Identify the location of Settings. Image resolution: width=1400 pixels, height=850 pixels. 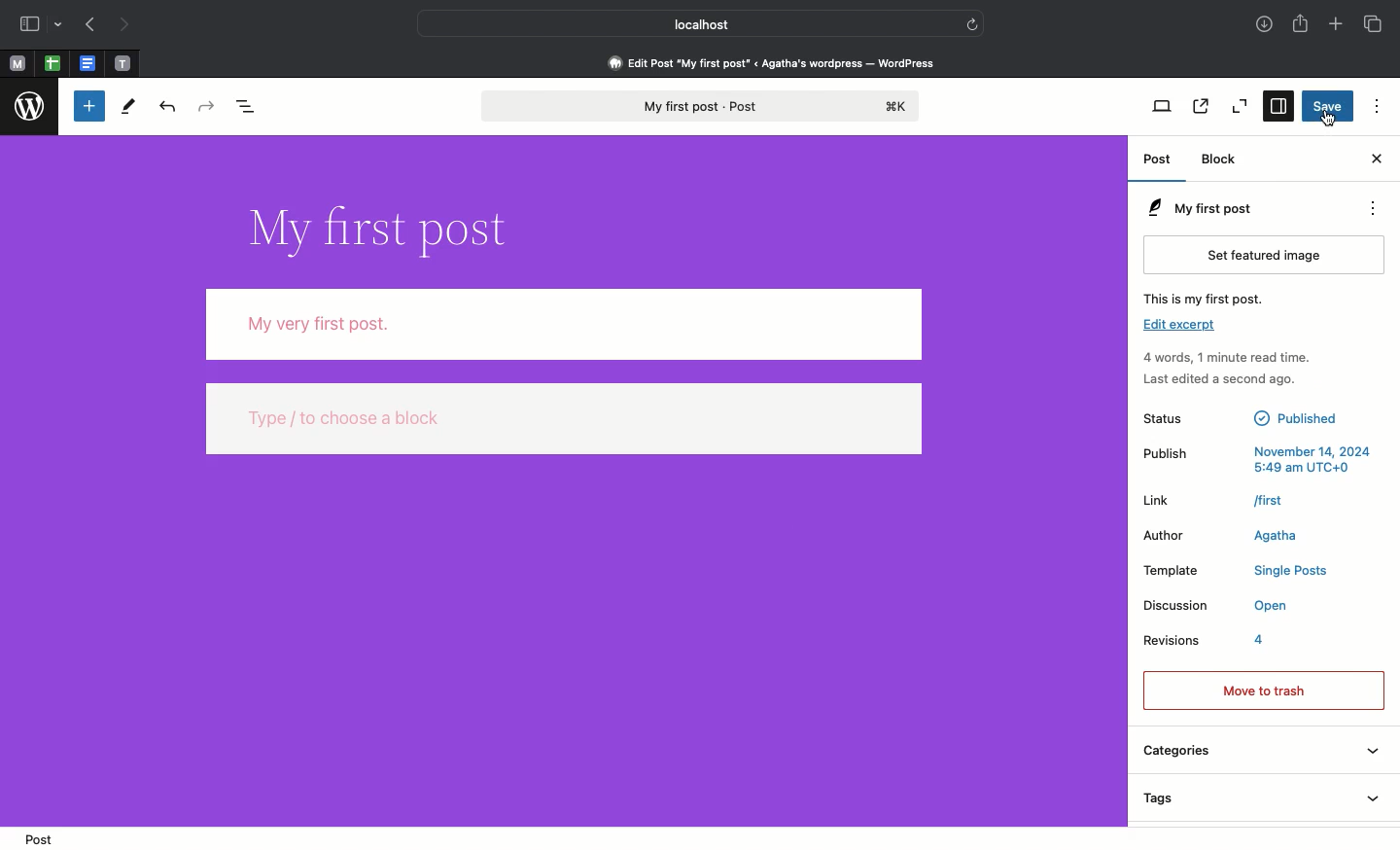
(1280, 107).